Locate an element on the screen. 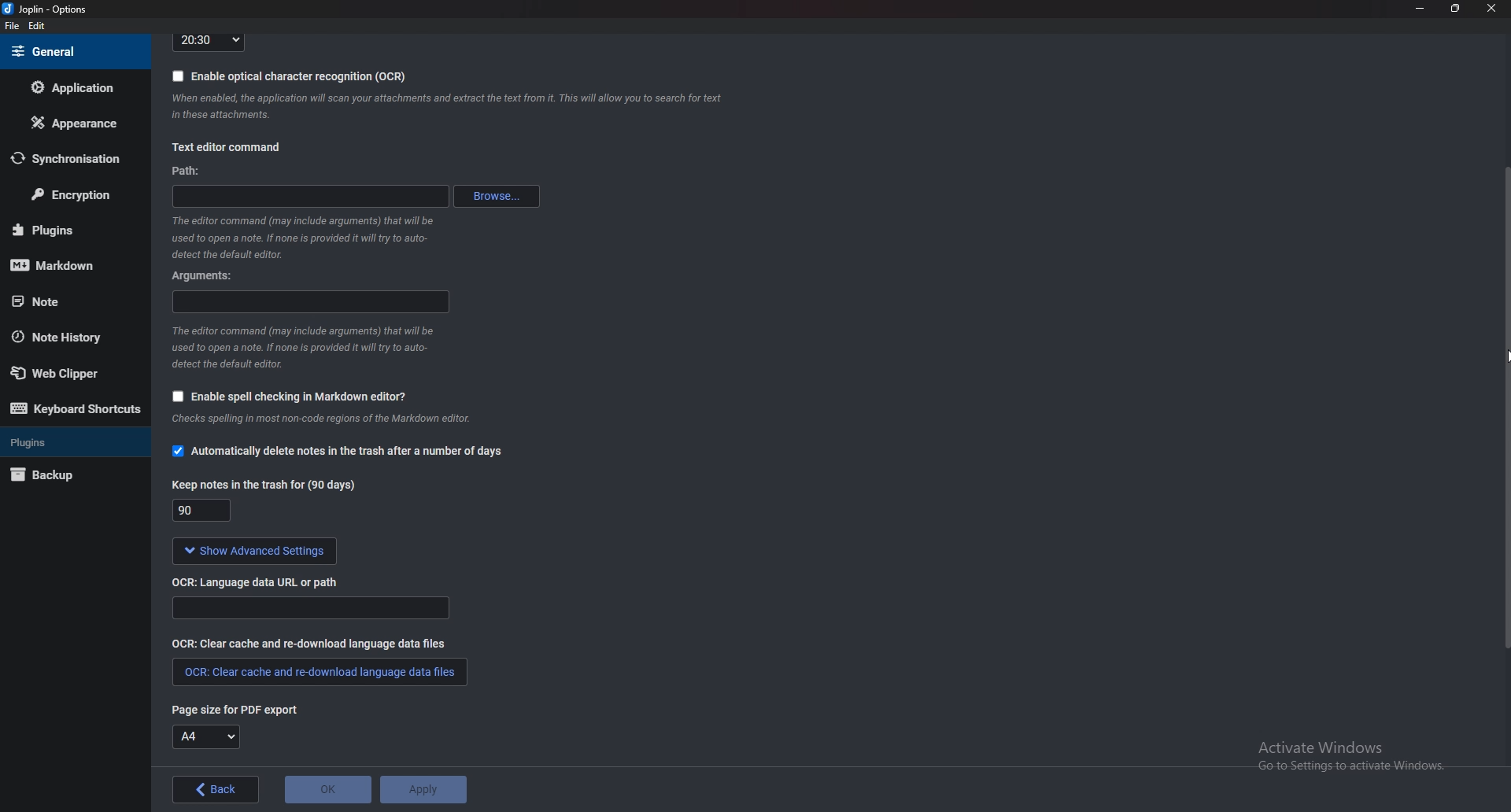 The height and width of the screenshot is (812, 1511). Web clipper is located at coordinates (70, 374).